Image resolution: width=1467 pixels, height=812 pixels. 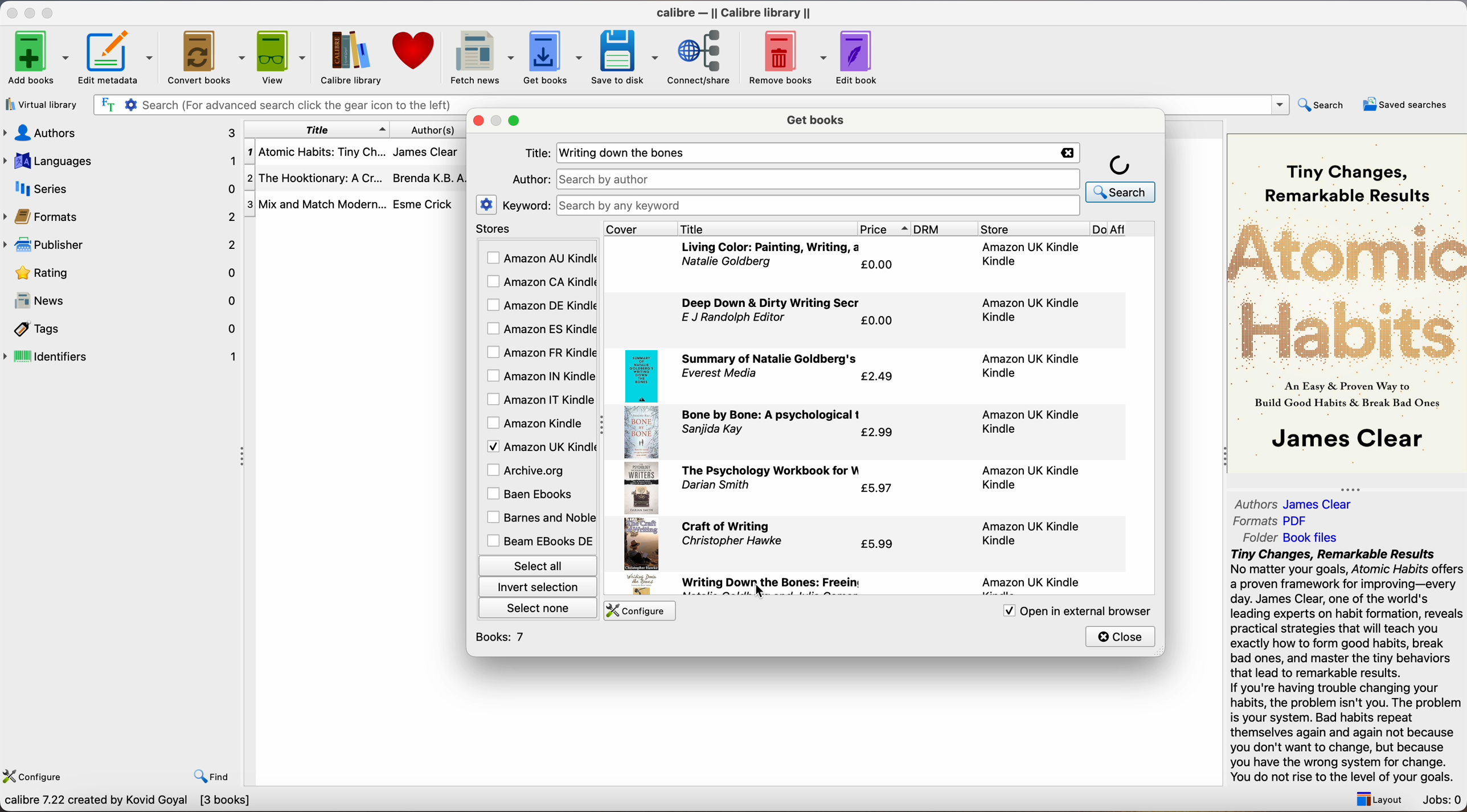 I want to click on amazon UK kindle, so click(x=1029, y=367).